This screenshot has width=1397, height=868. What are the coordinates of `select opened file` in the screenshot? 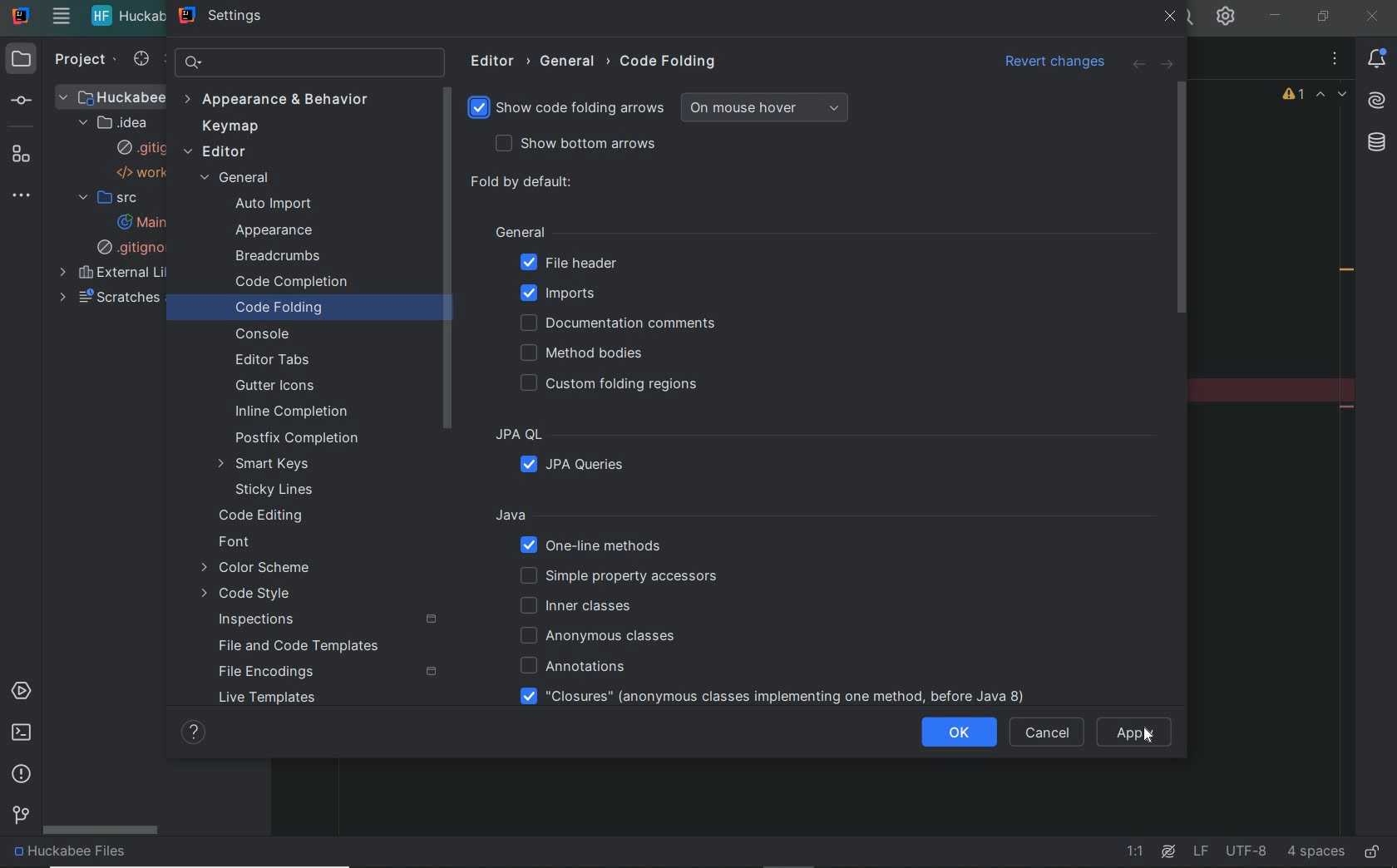 It's located at (137, 60).